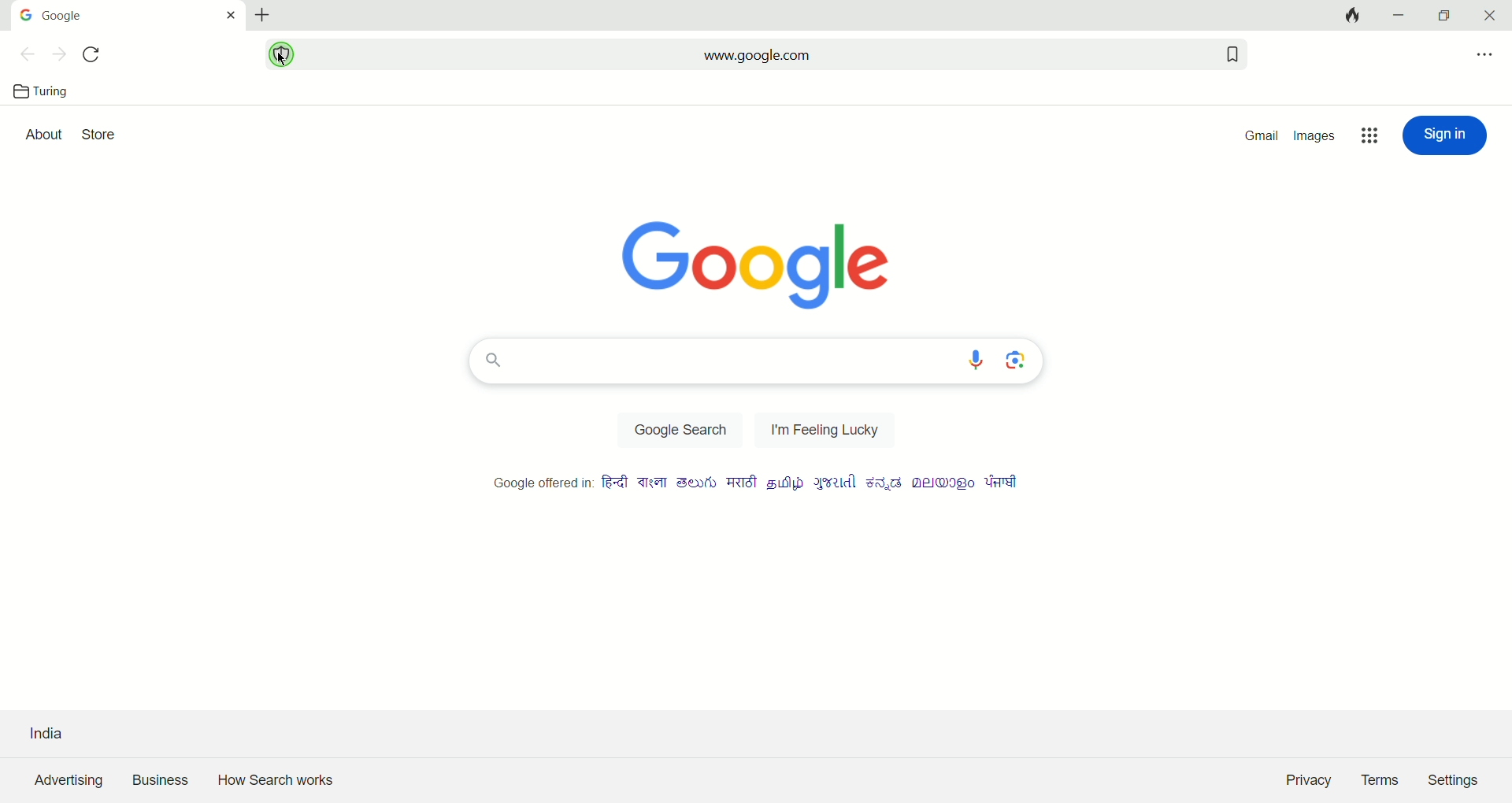 The image size is (1512, 803). I want to click on language, so click(945, 480).